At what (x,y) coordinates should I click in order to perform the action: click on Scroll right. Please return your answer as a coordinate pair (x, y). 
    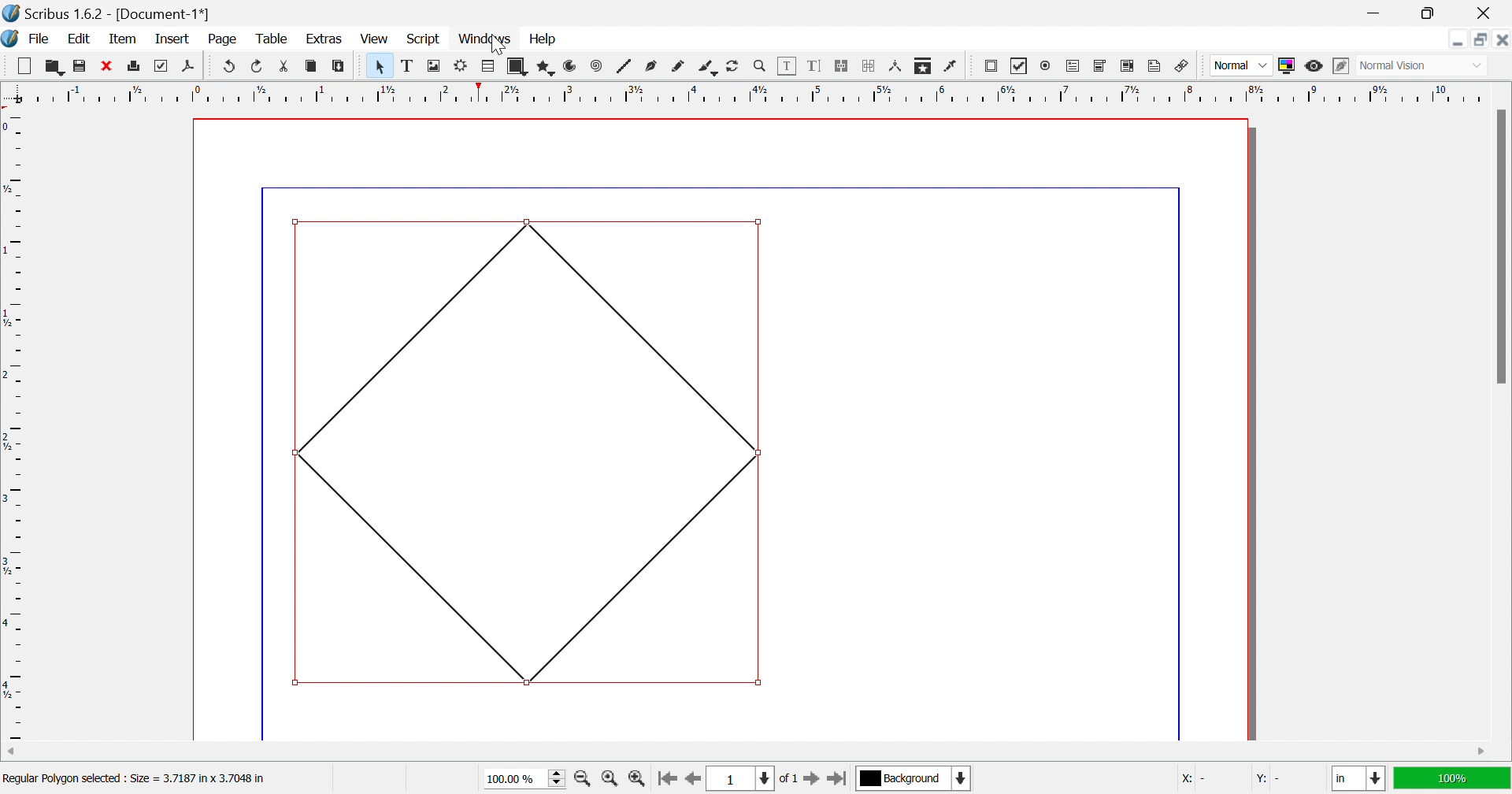
    Looking at the image, I should click on (1483, 752).